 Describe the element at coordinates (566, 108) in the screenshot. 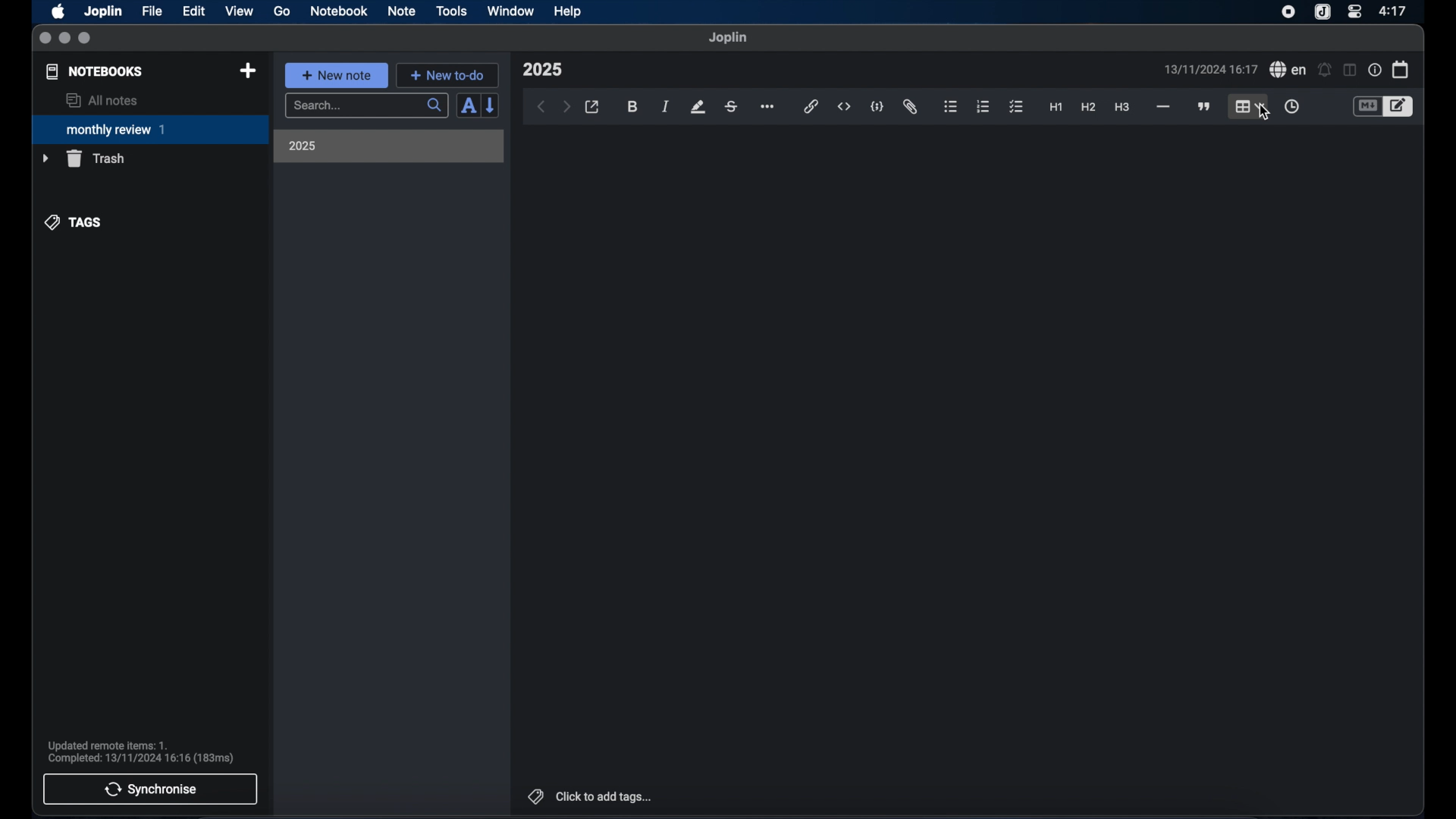

I see `forward` at that location.